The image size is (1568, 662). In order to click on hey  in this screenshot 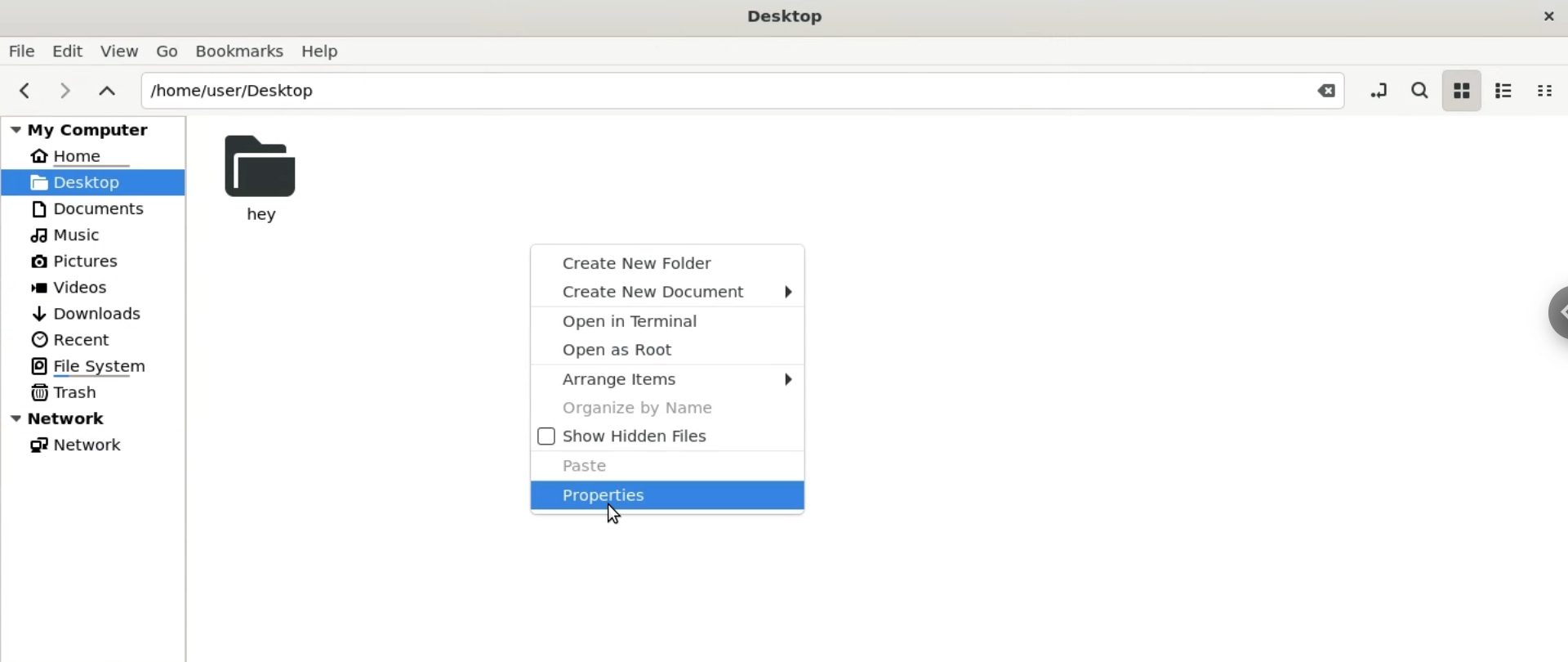, I will do `click(261, 179)`.